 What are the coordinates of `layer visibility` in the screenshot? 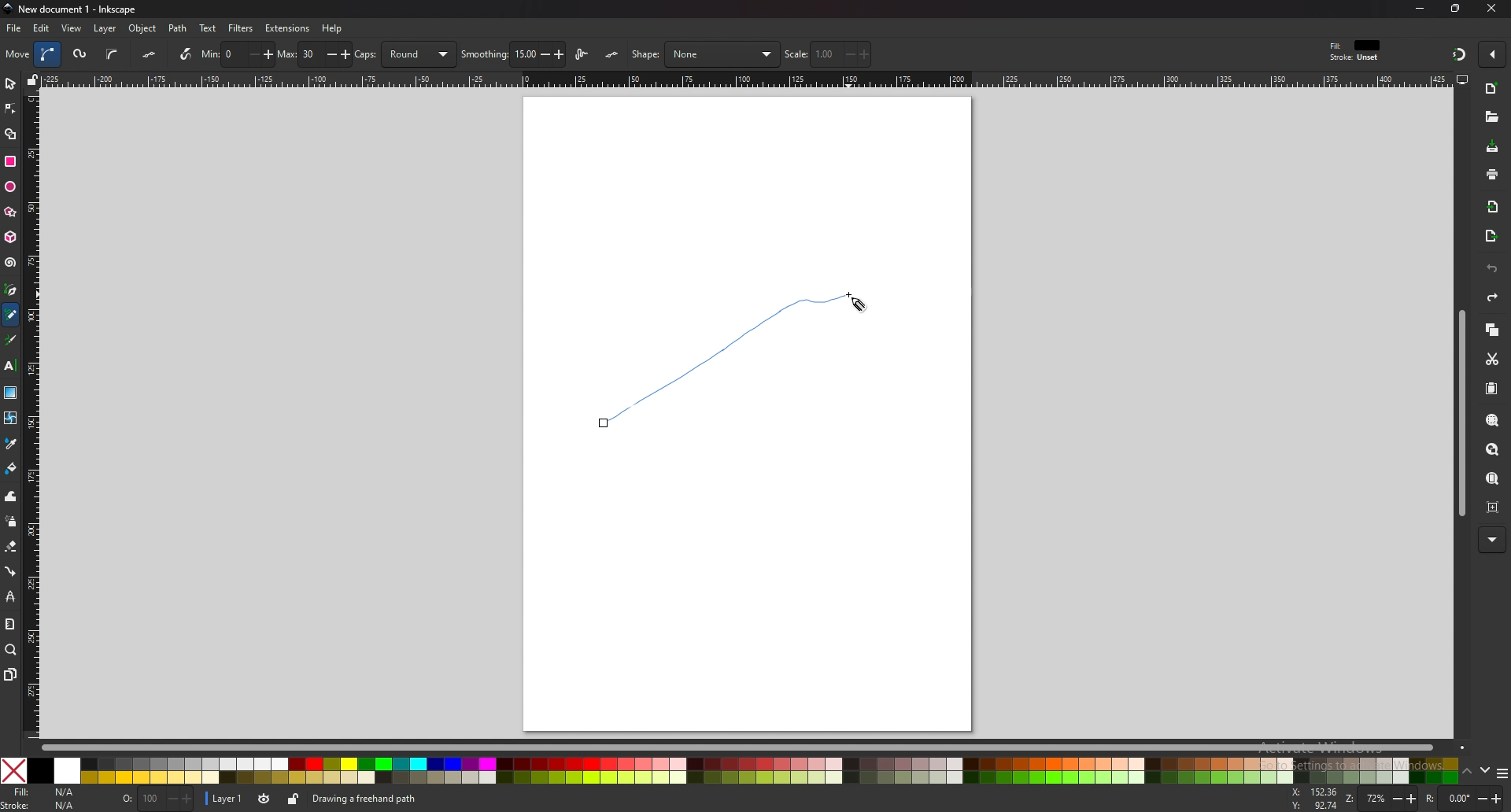 It's located at (263, 799).